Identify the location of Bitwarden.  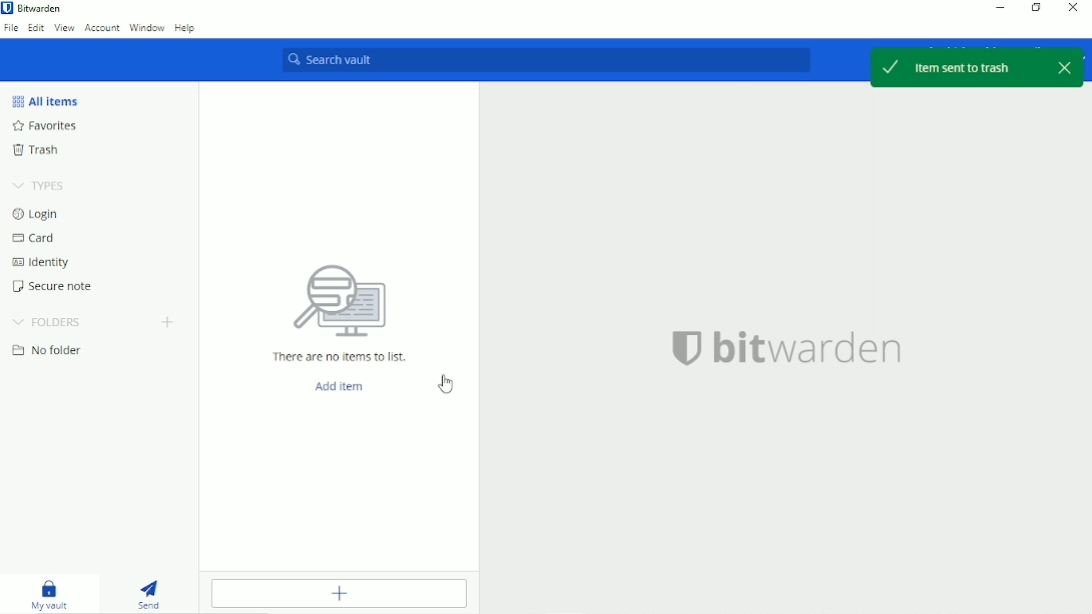
(42, 9).